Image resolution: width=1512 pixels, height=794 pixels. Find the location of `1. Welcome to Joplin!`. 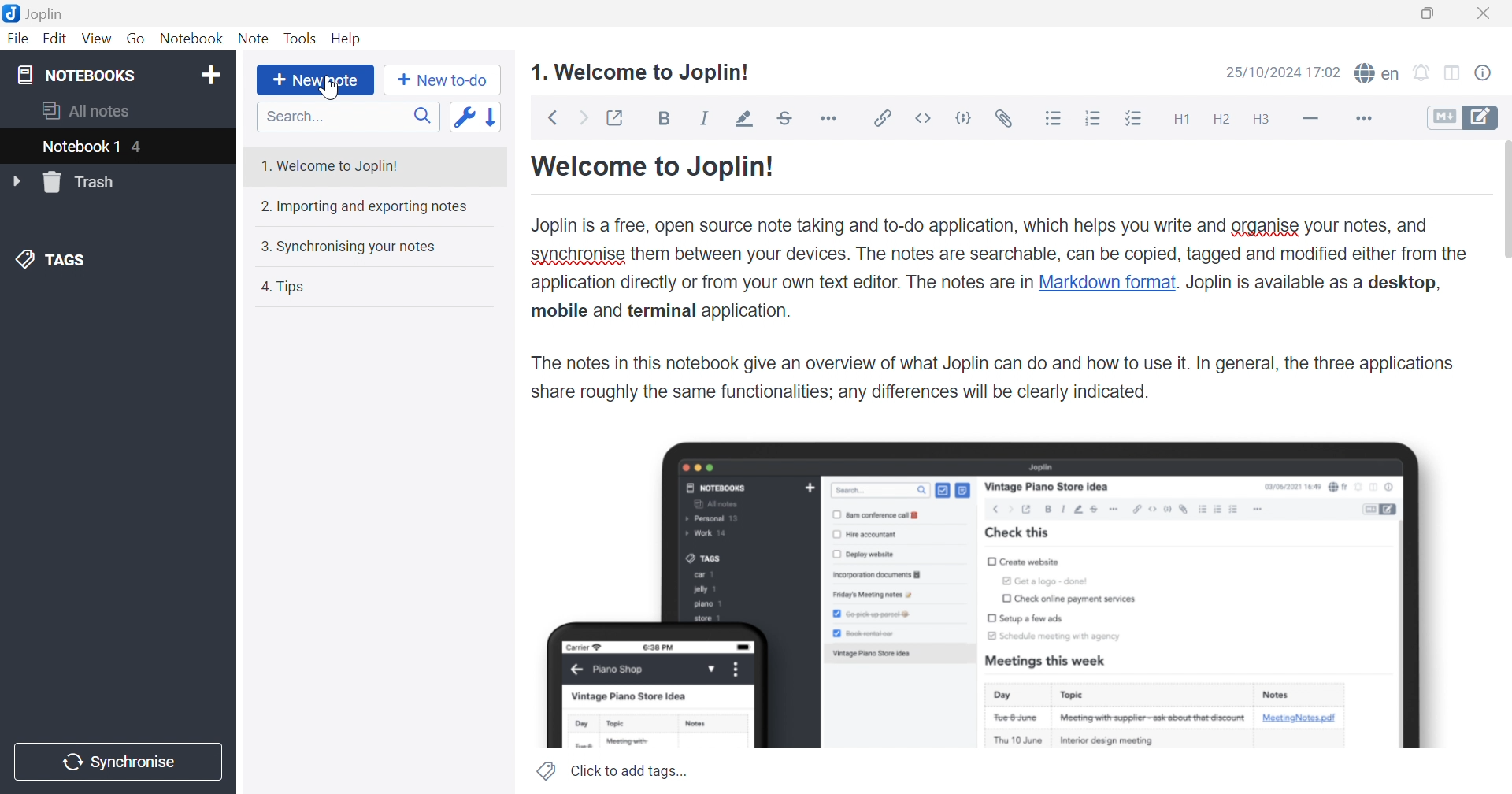

1. Welcome to Joplin! is located at coordinates (333, 163).